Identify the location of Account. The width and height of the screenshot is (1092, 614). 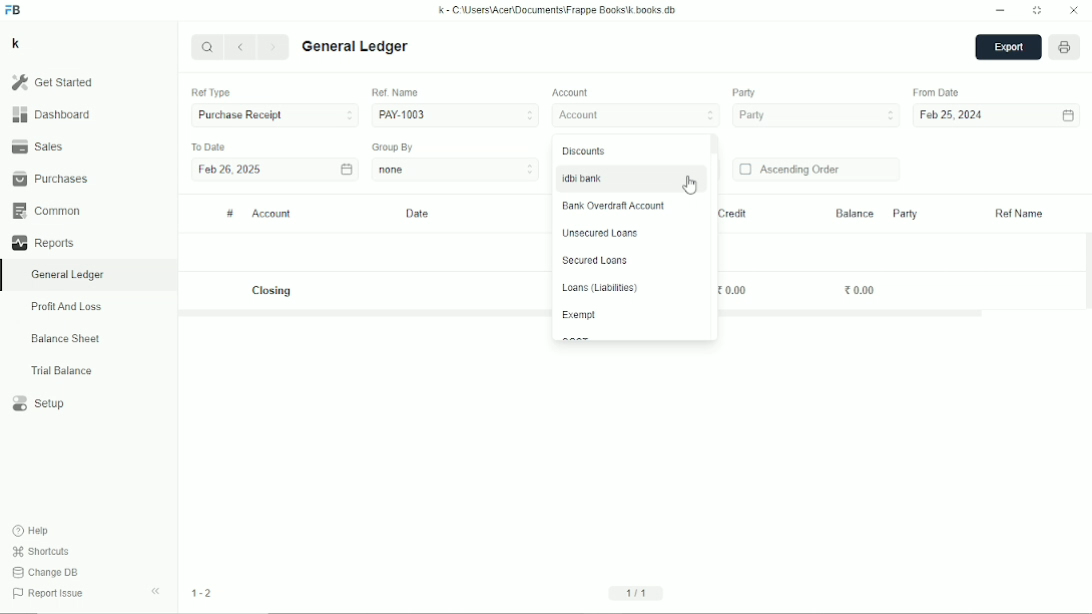
(572, 93).